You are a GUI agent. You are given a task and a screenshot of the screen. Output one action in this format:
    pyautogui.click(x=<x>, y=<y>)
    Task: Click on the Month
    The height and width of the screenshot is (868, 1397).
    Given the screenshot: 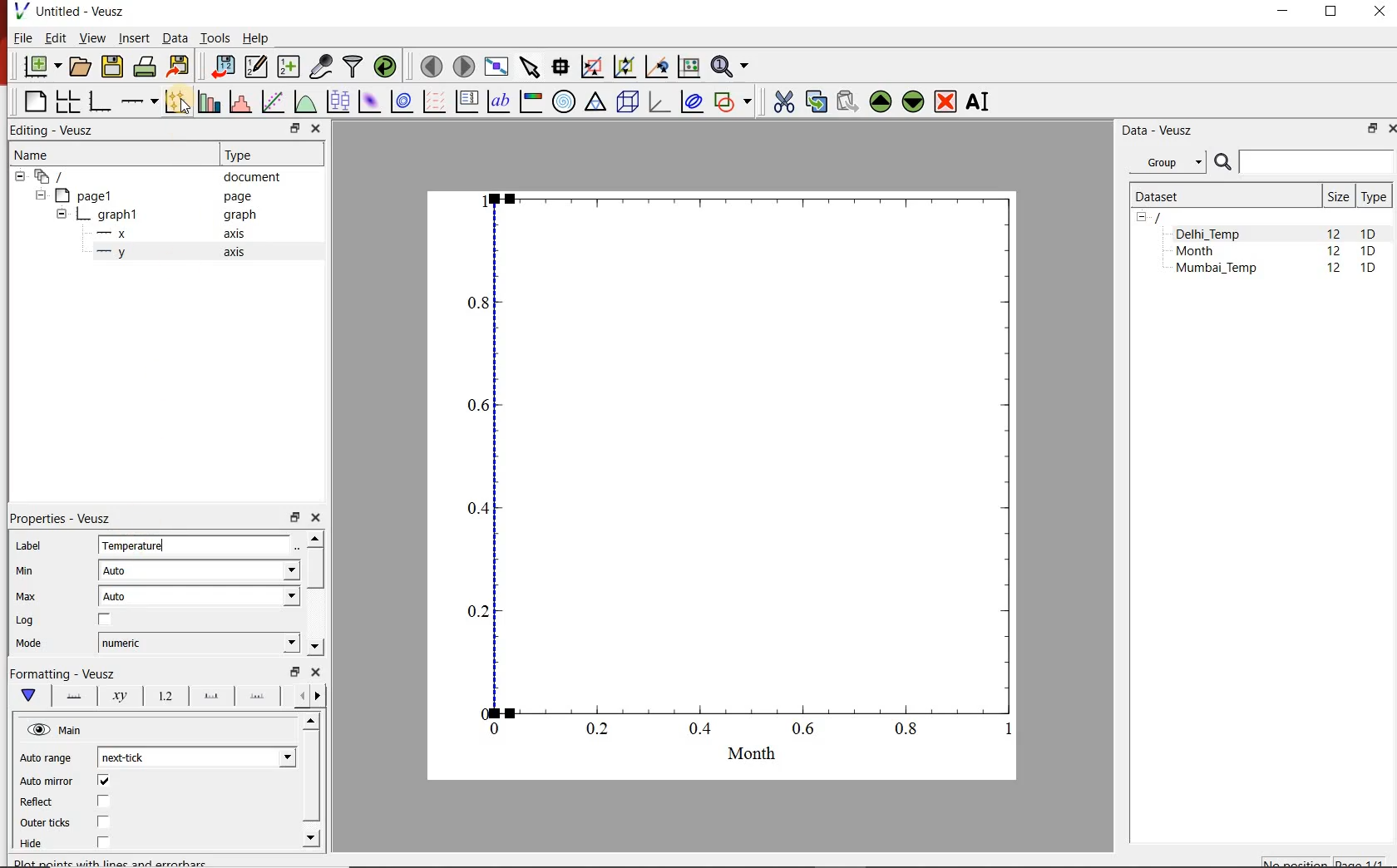 What is the action you would take?
    pyautogui.click(x=1207, y=251)
    